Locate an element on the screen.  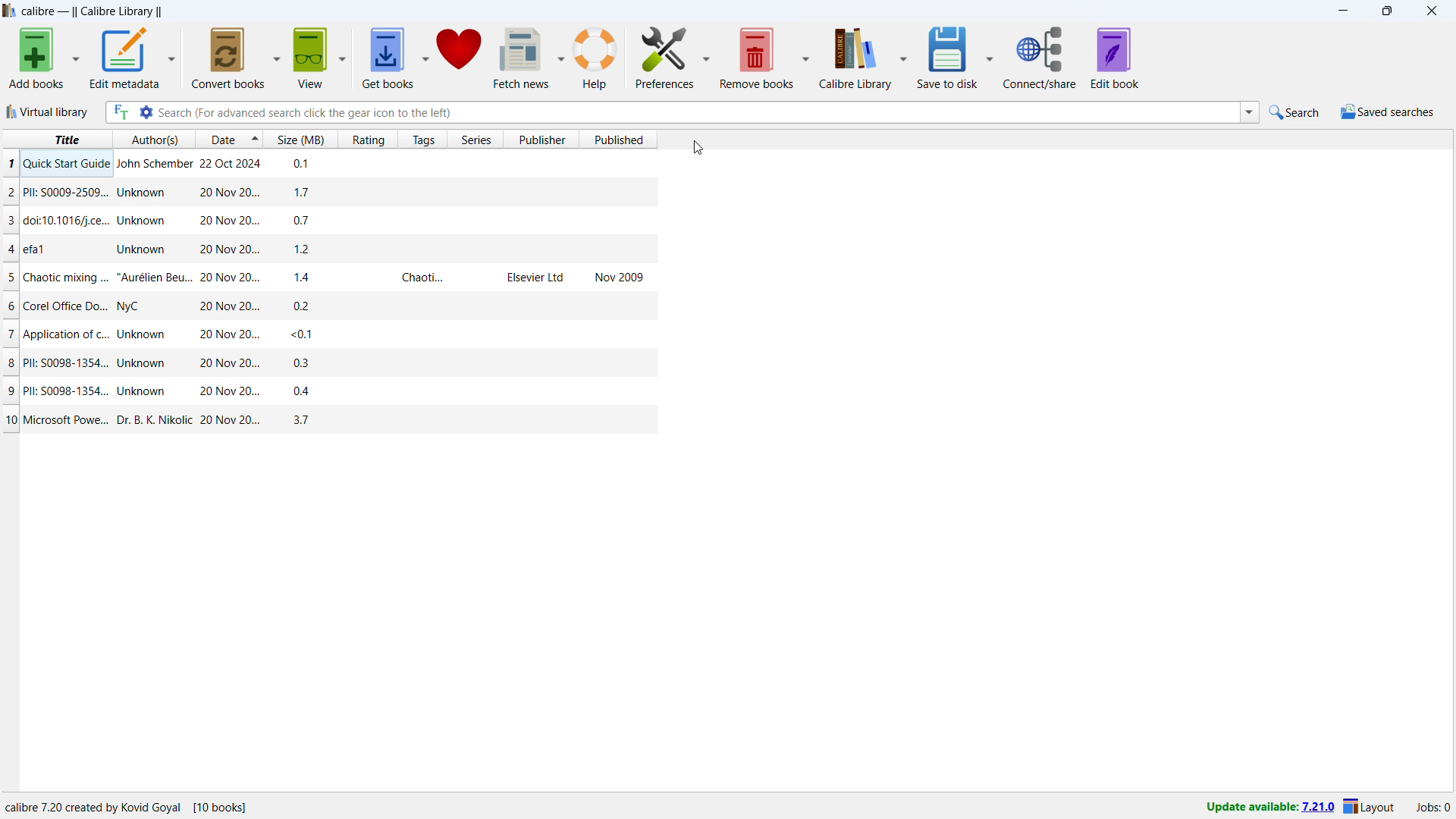
calibre library options is located at coordinates (903, 55).